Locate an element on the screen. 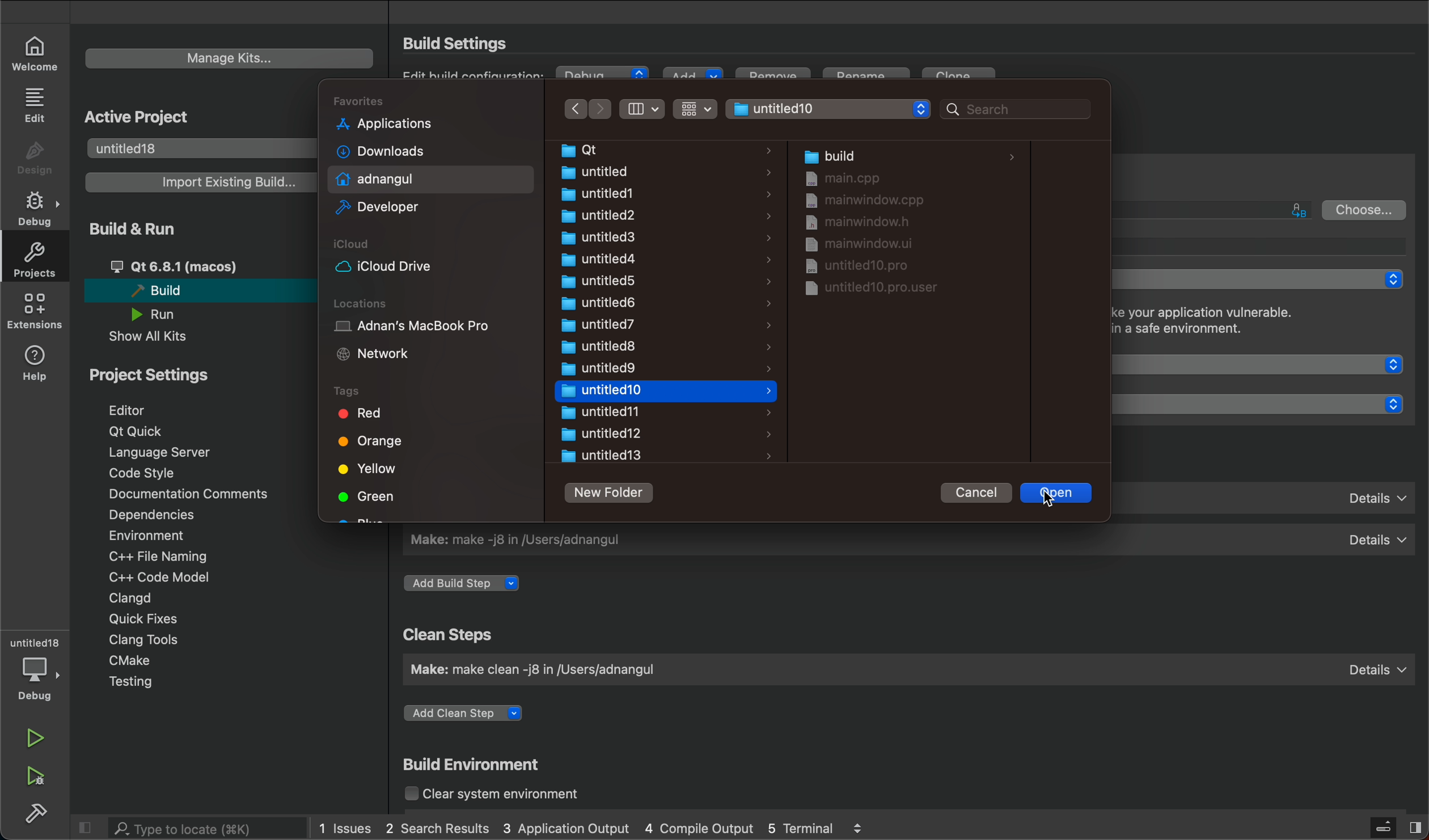  add clean step is located at coordinates (479, 710).